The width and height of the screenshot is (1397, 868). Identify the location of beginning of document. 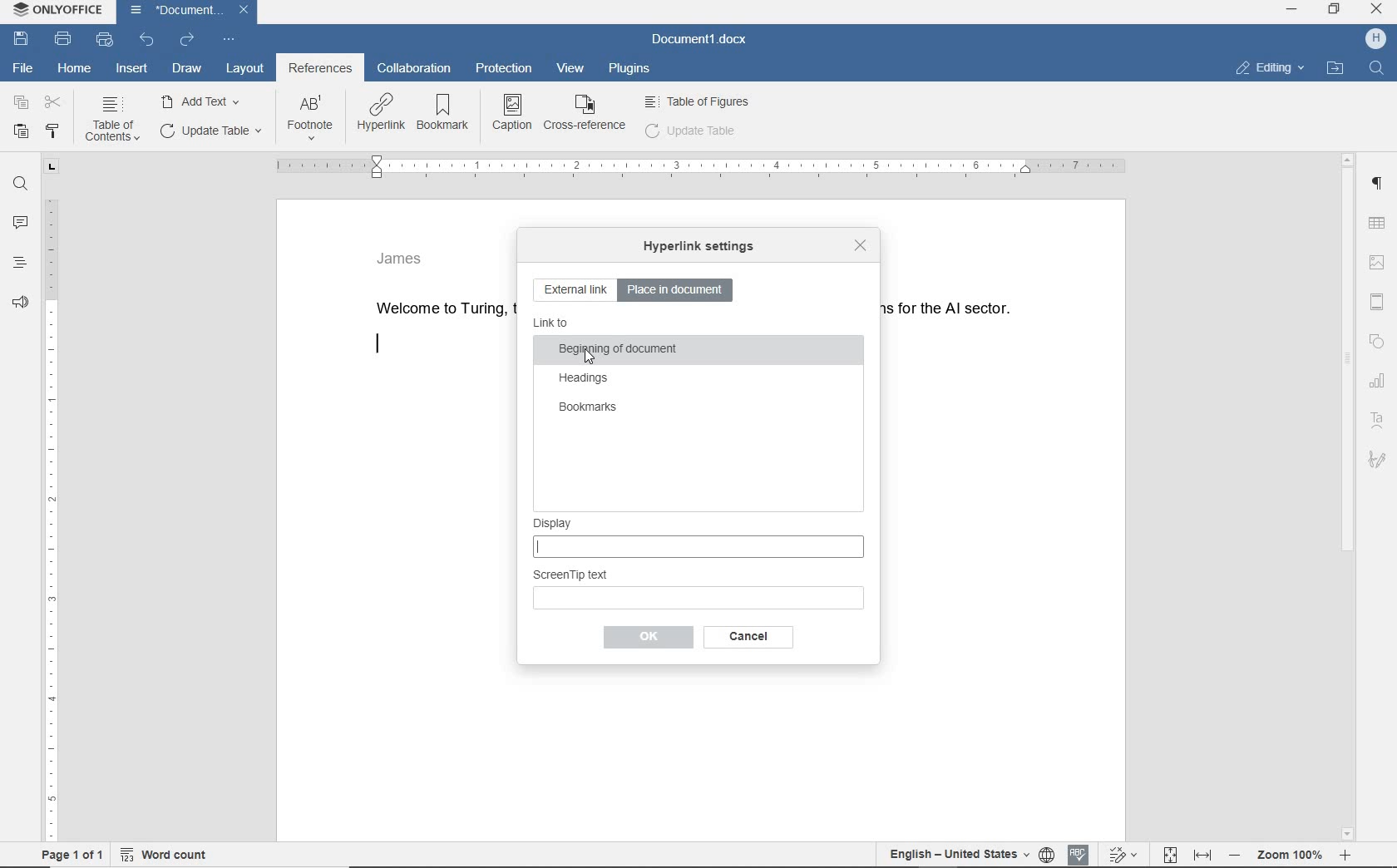
(619, 351).